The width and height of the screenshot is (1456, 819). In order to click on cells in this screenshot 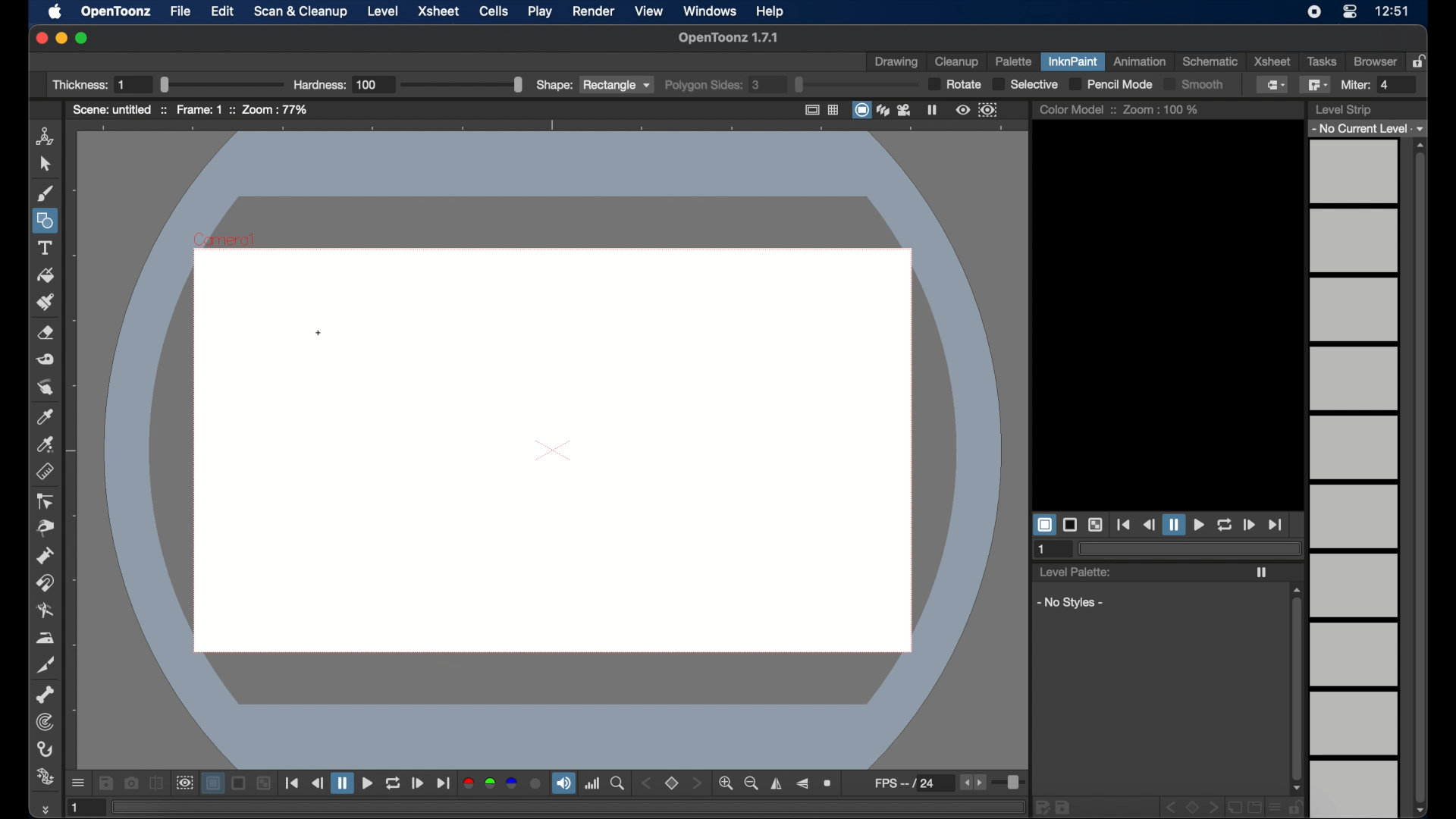, I will do `click(492, 11)`.